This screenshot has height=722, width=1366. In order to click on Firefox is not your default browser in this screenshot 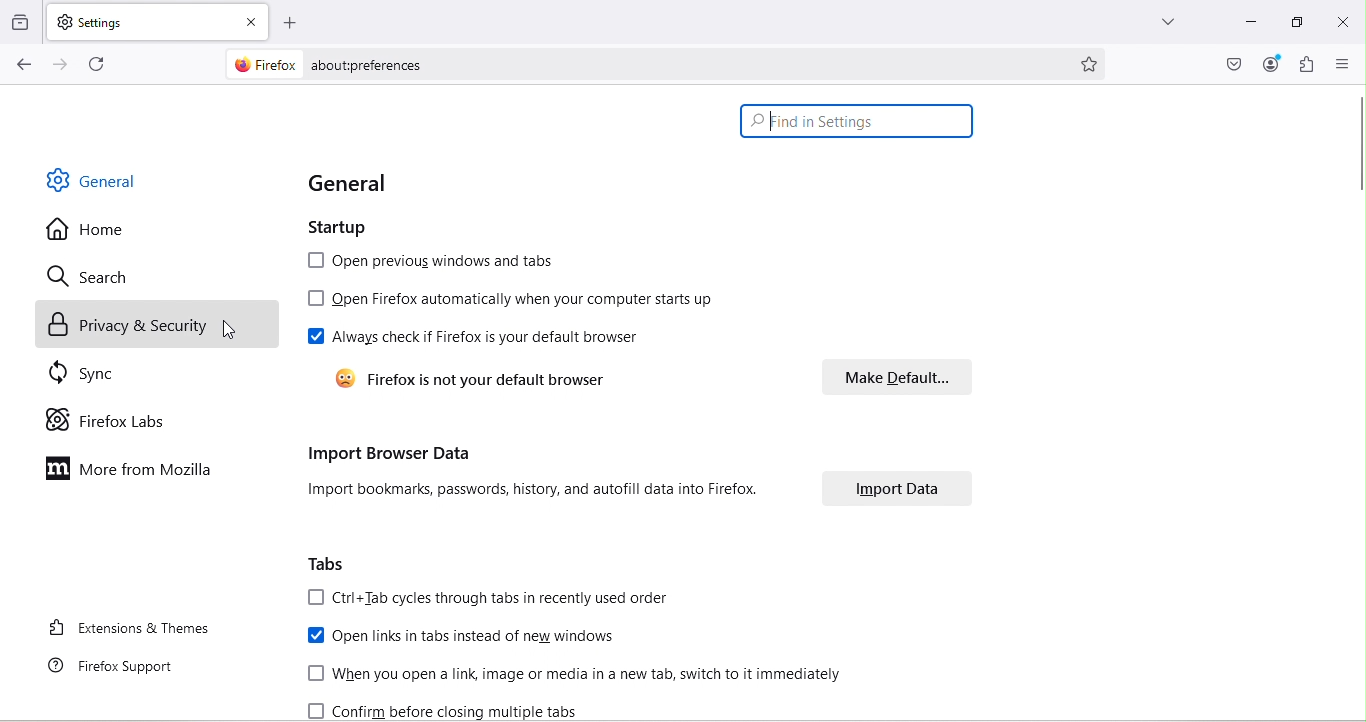, I will do `click(475, 379)`.